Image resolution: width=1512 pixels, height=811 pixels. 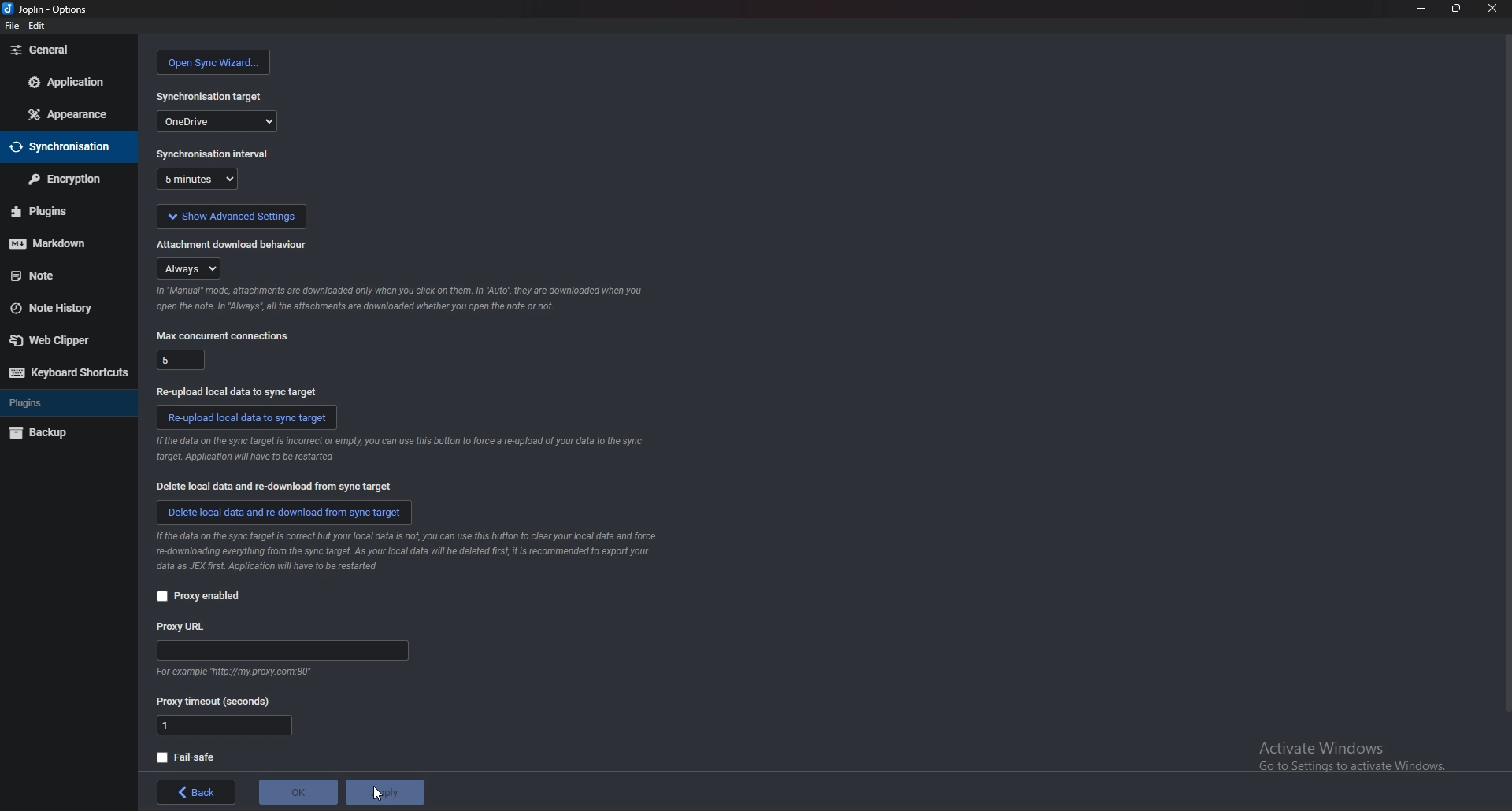 What do you see at coordinates (1421, 8) in the screenshot?
I see `minimize` at bounding box center [1421, 8].